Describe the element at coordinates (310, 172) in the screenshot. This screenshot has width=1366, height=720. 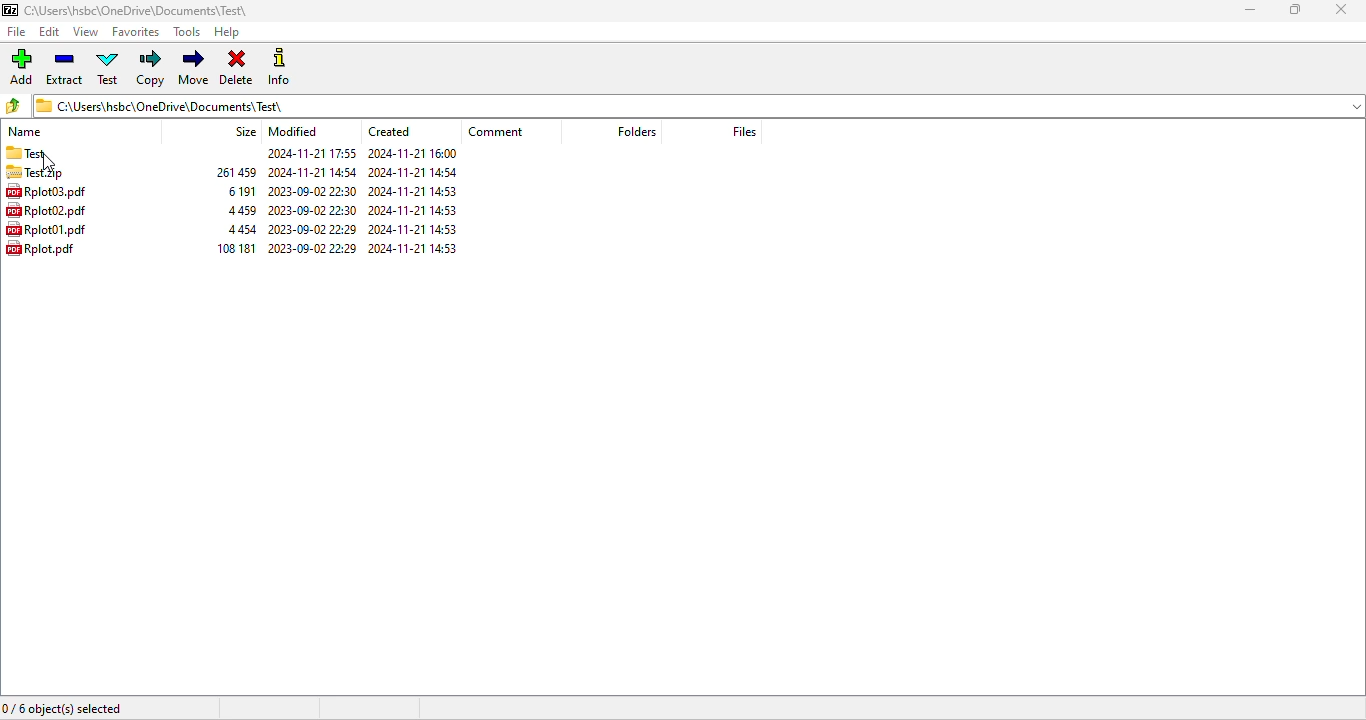
I see `2024-11-21 14:54` at that location.